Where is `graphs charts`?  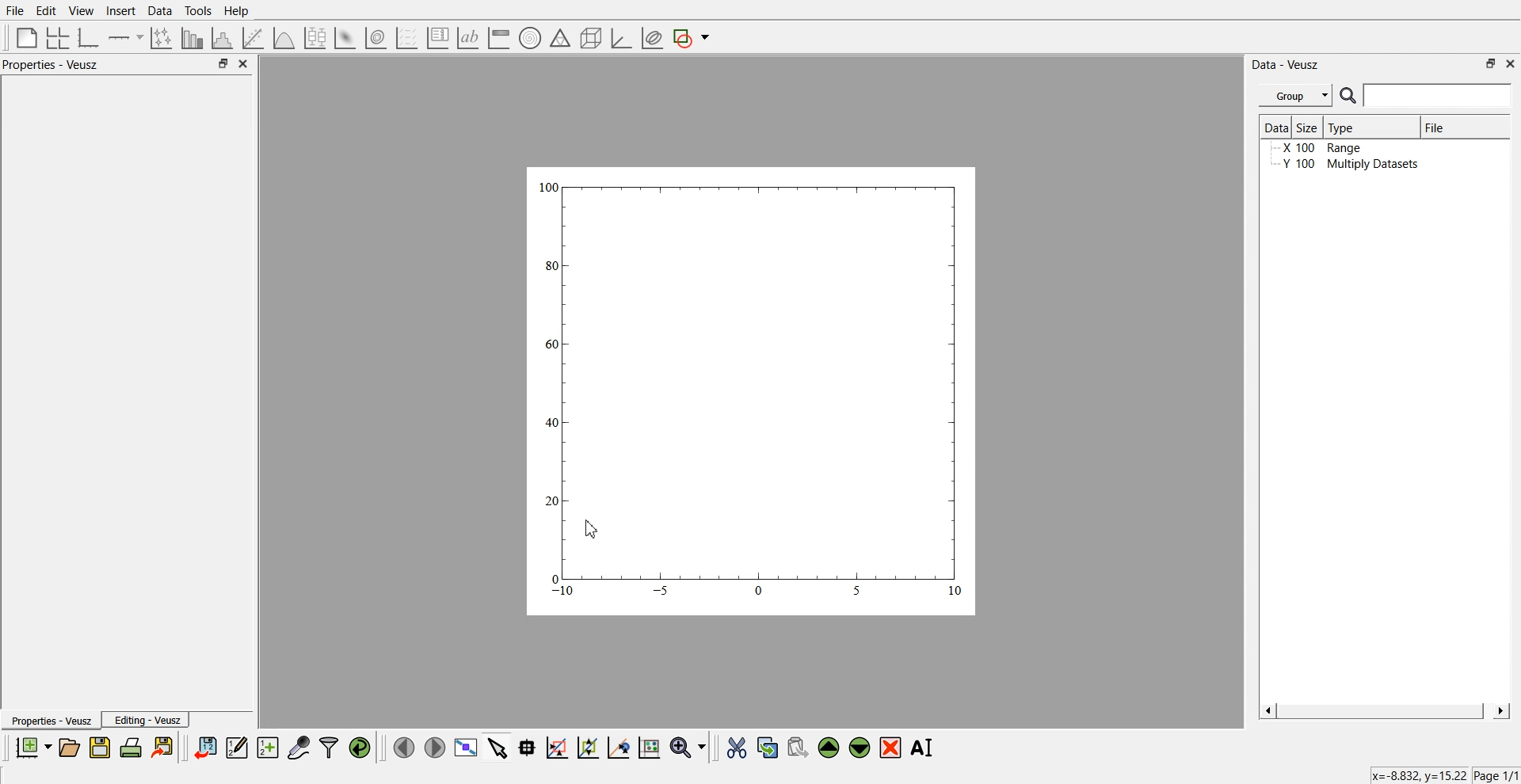 graphs charts is located at coordinates (752, 390).